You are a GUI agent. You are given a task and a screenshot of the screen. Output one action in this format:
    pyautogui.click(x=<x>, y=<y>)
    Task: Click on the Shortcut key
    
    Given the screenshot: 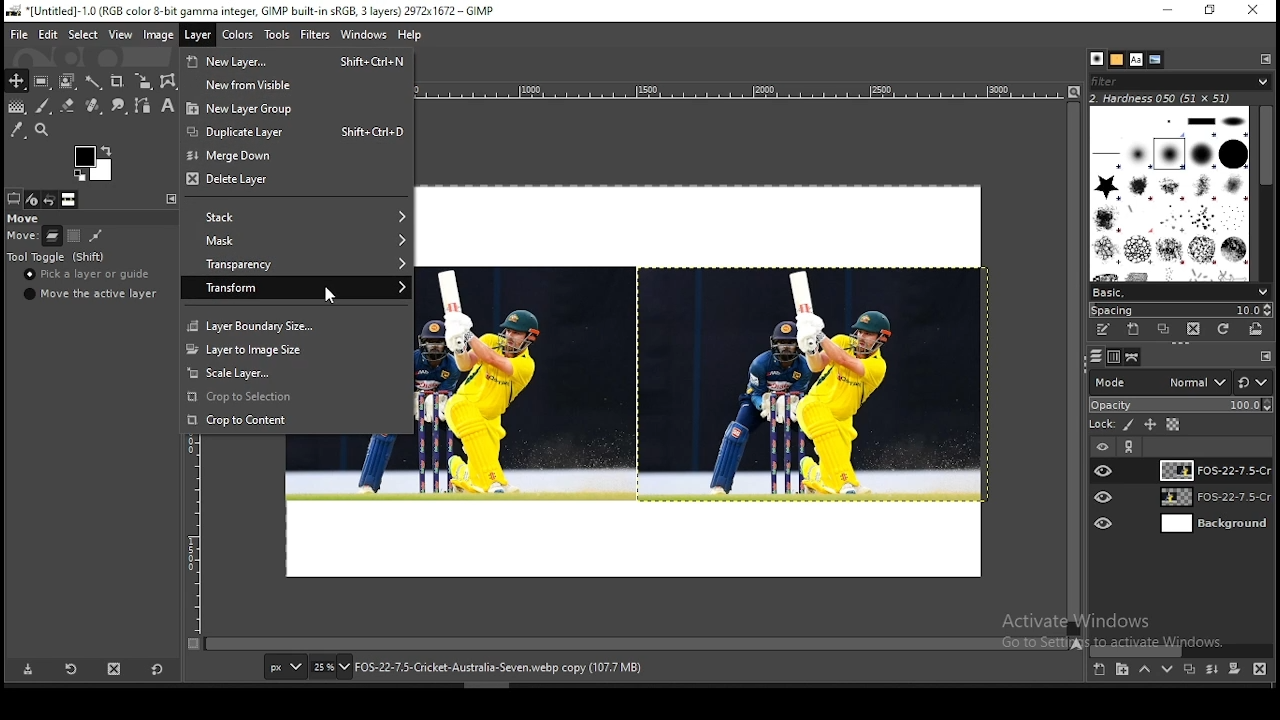 What is the action you would take?
    pyautogui.click(x=367, y=131)
    